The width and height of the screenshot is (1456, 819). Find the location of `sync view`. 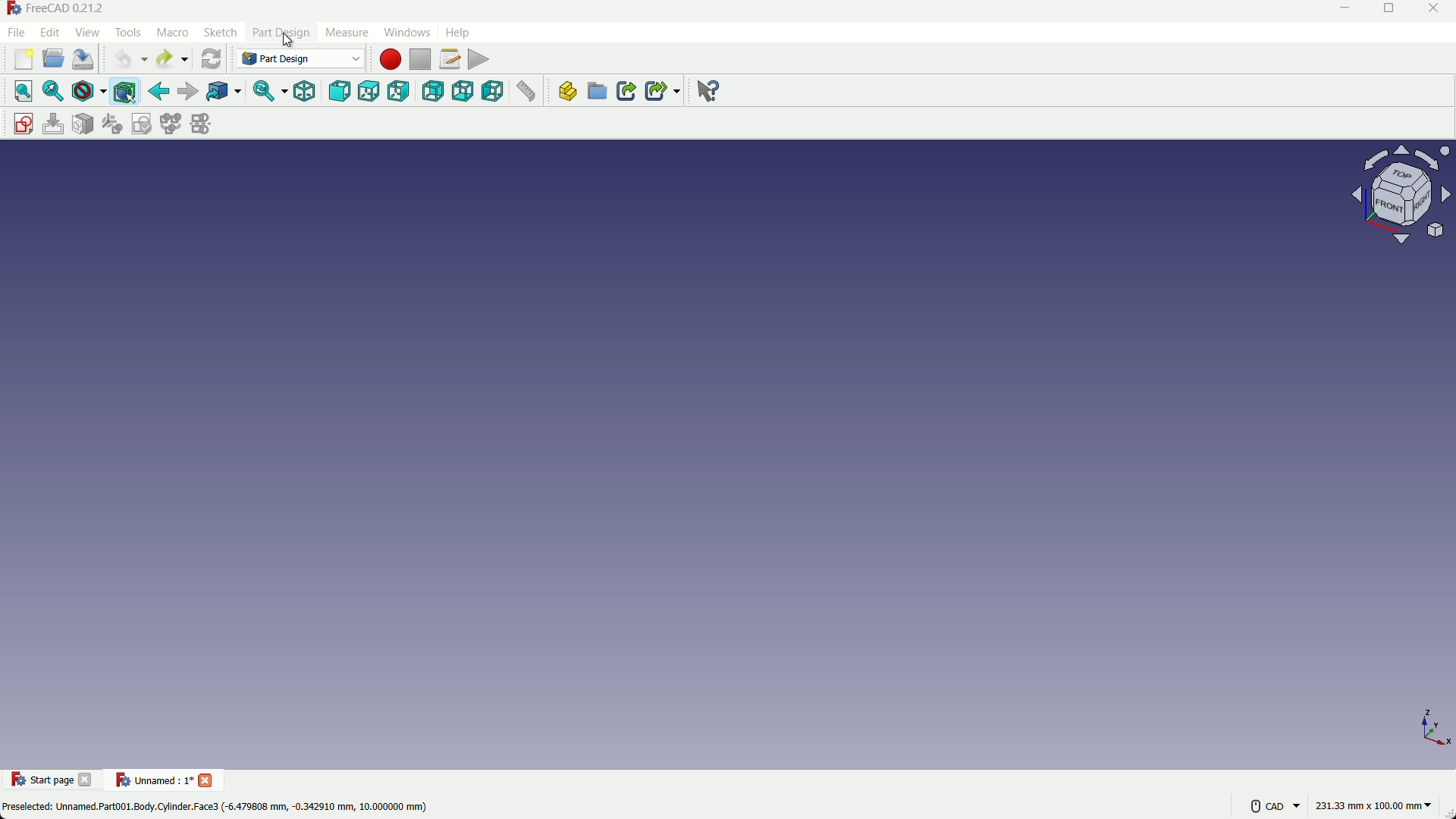

sync view is located at coordinates (262, 92).